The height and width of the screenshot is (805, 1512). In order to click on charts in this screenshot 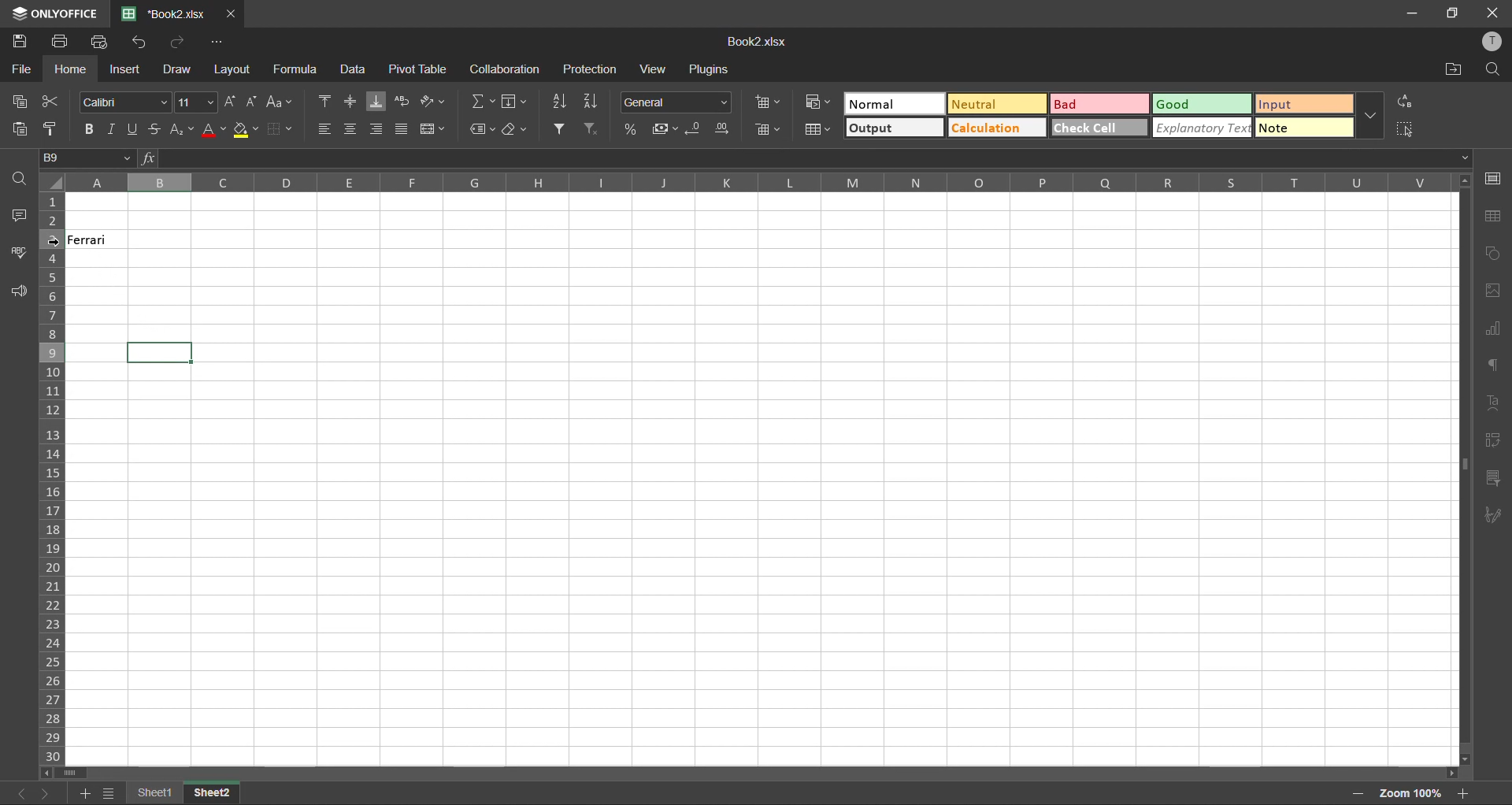, I will do `click(1496, 329)`.